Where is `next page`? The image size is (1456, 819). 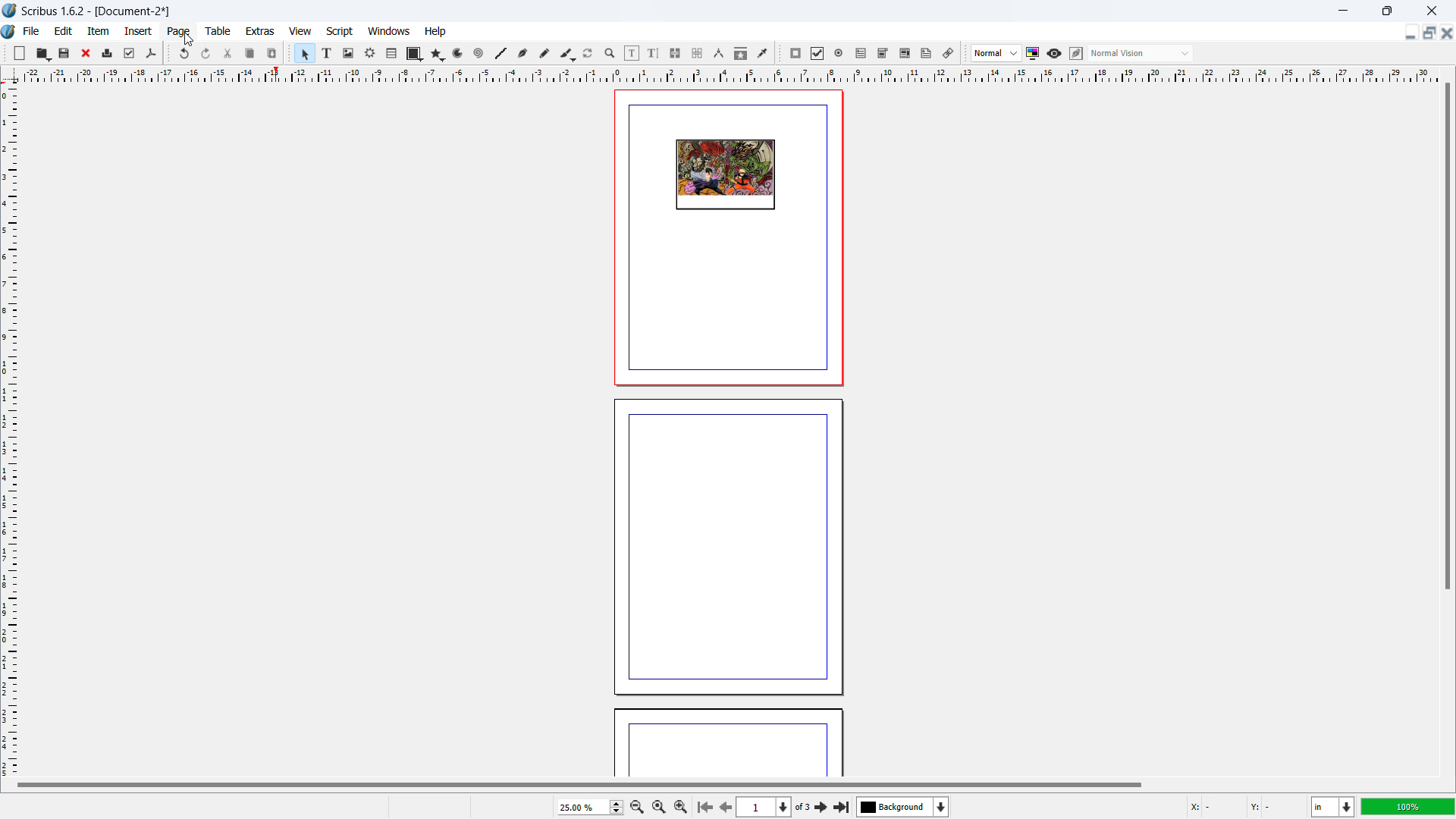
next page is located at coordinates (723, 805).